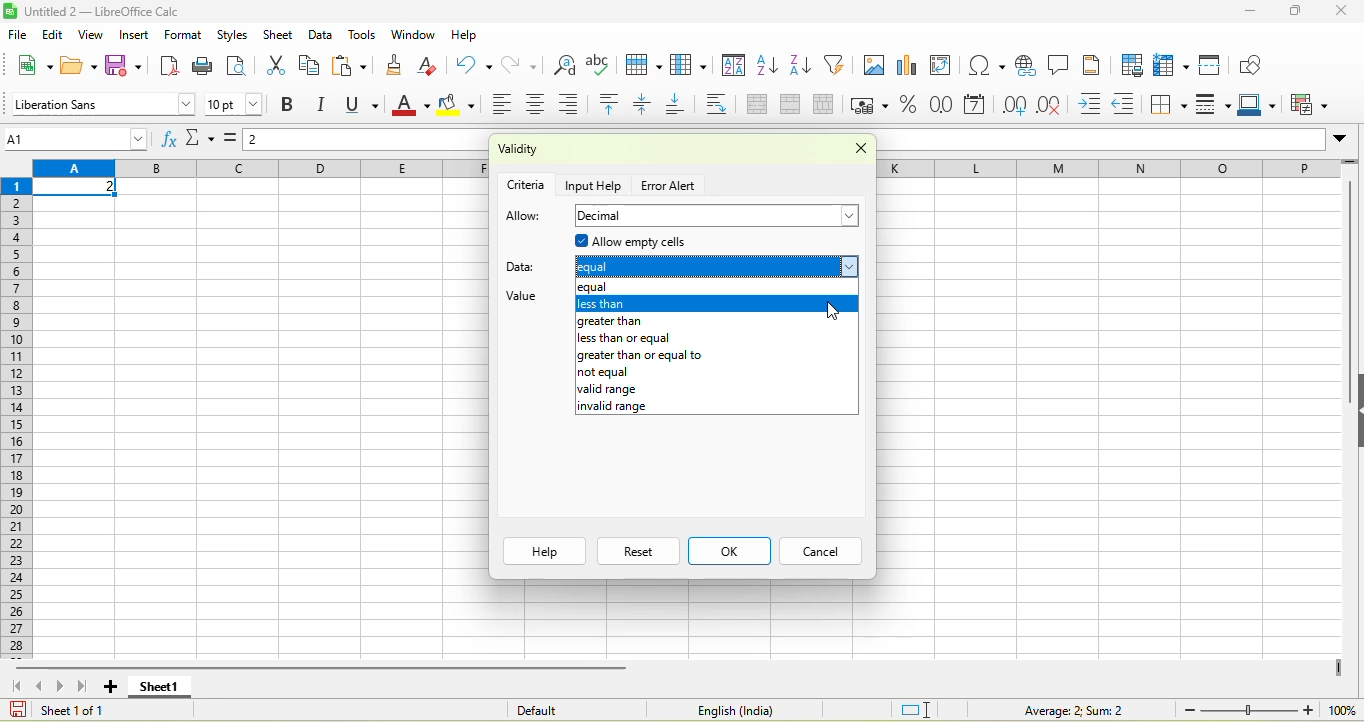  What do you see at coordinates (368, 142) in the screenshot?
I see `formula bar` at bounding box center [368, 142].